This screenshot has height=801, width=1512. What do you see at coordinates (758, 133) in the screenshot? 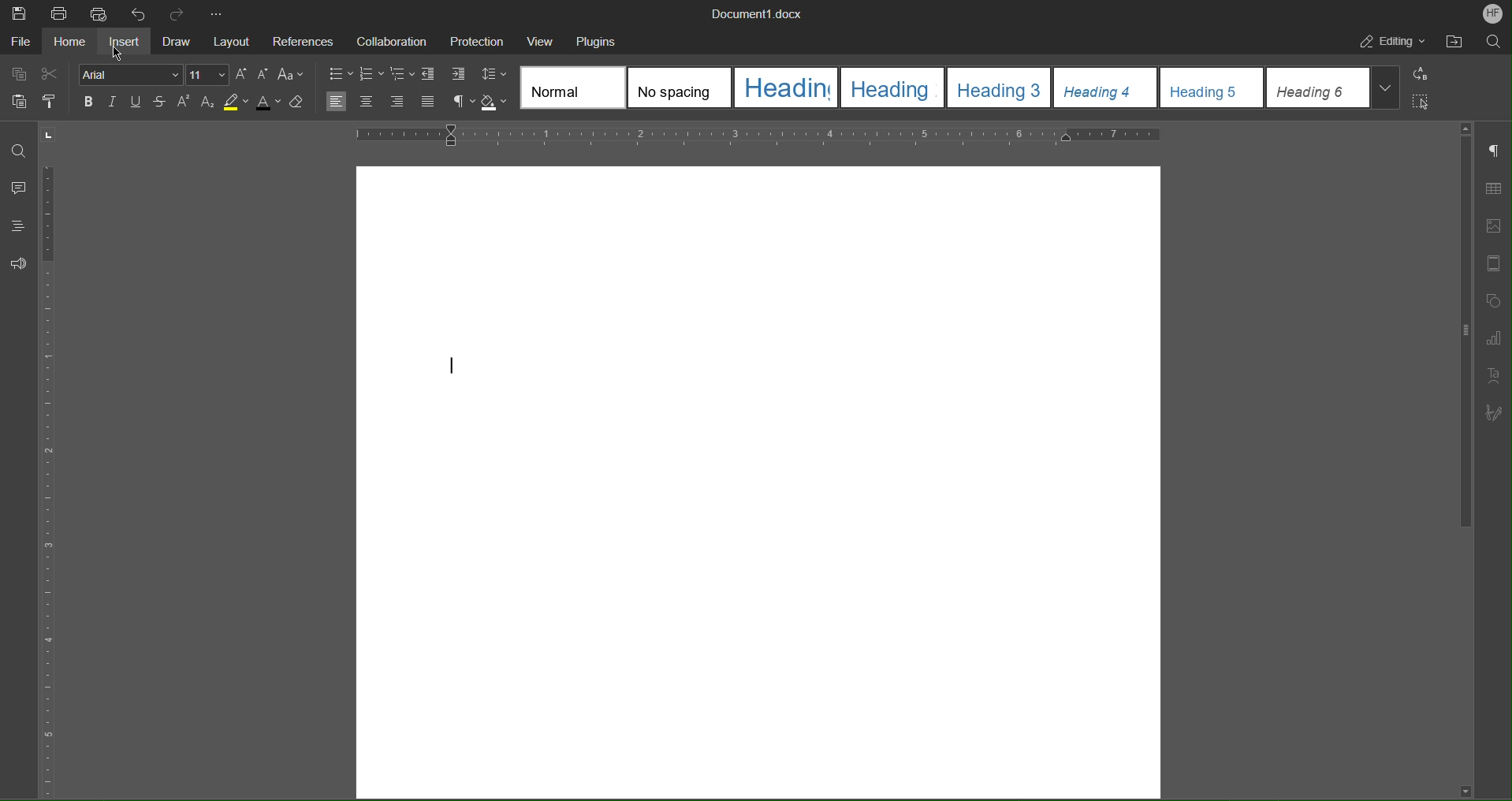
I see `Horizontal Ruler` at bounding box center [758, 133].